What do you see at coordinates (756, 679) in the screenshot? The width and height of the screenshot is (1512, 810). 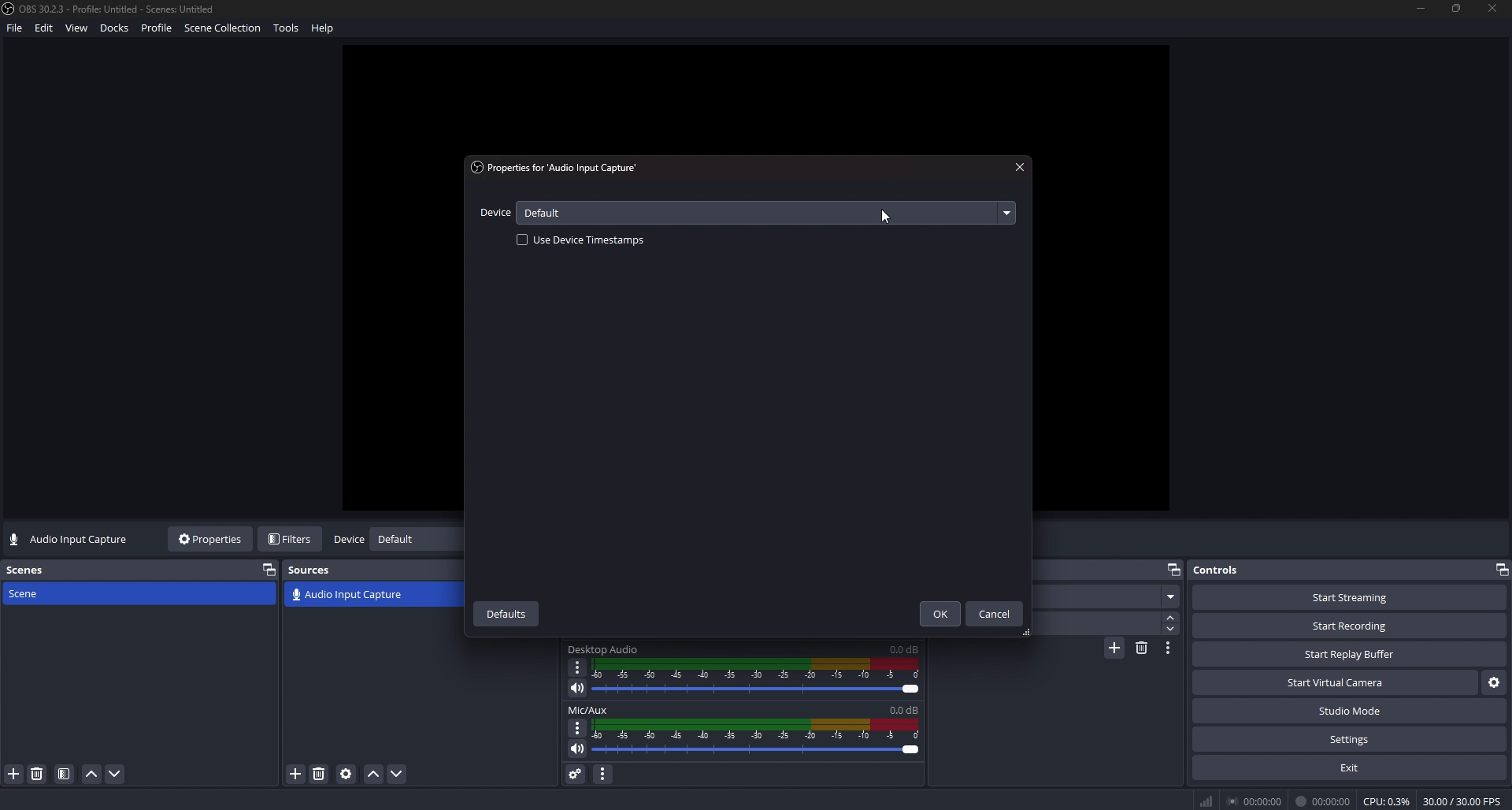 I see `volume adjust` at bounding box center [756, 679].